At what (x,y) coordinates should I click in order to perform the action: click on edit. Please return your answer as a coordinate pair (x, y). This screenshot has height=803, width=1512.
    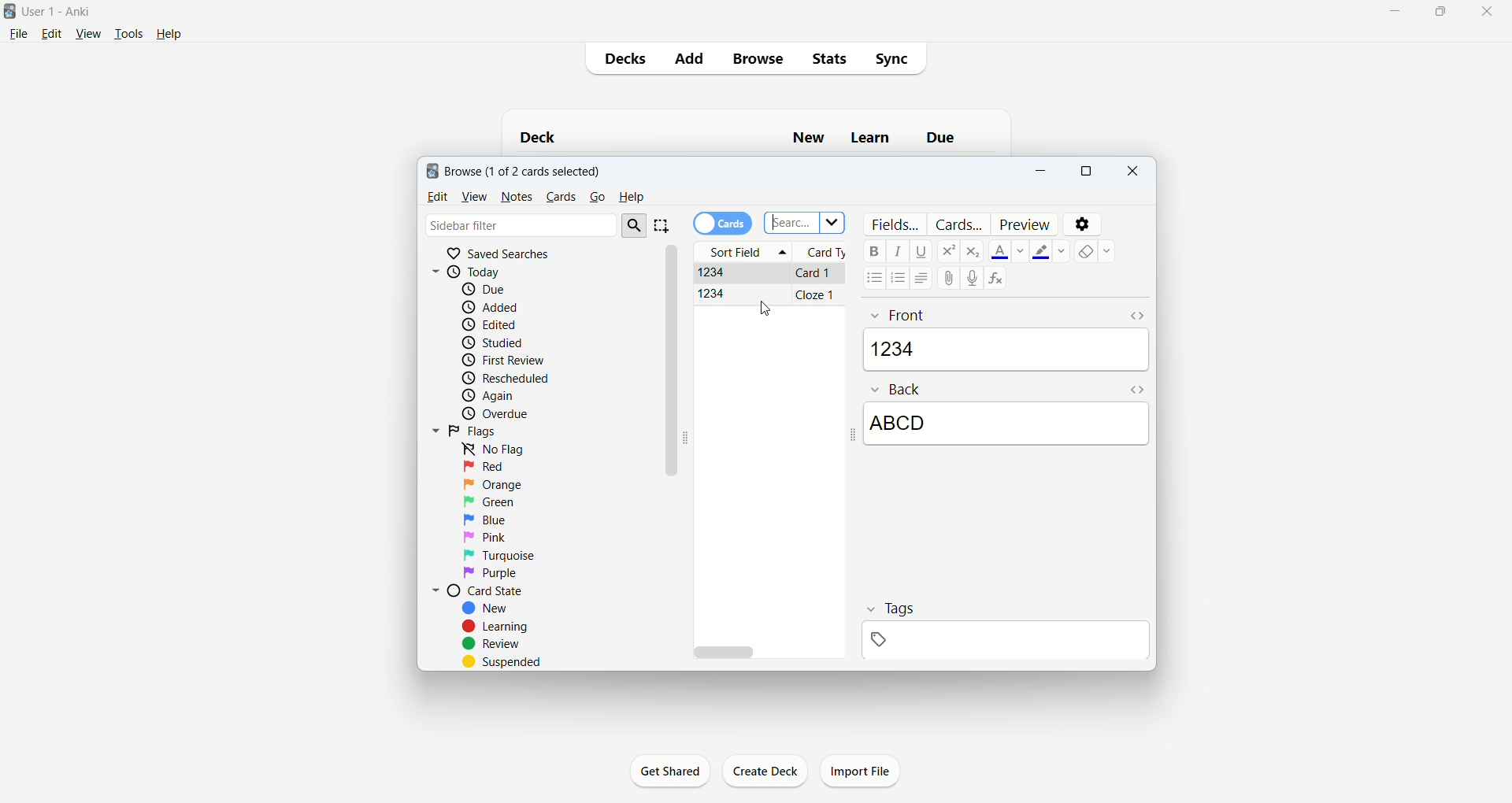
    Looking at the image, I should click on (440, 195).